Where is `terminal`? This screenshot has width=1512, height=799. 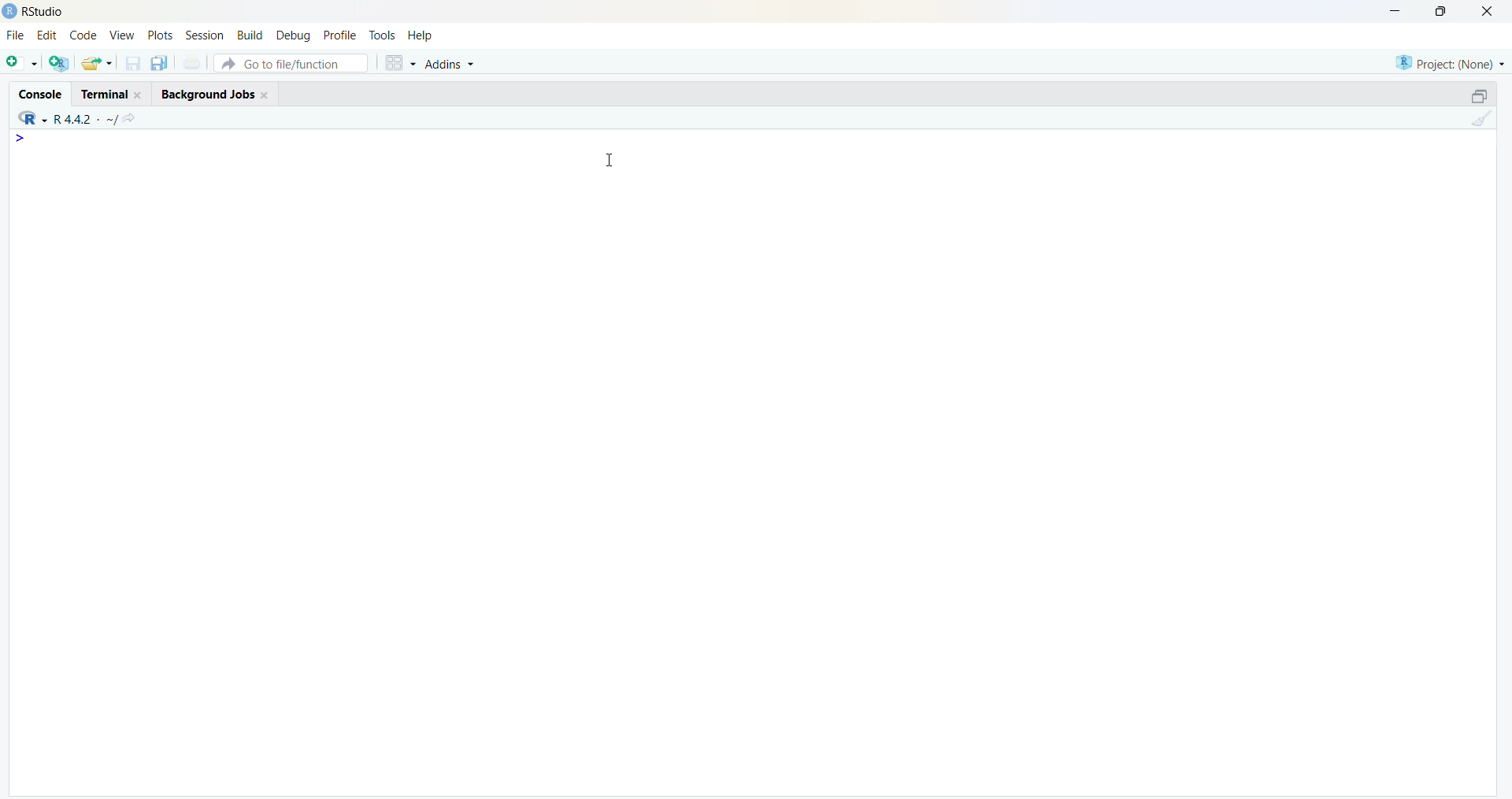
terminal is located at coordinates (106, 95).